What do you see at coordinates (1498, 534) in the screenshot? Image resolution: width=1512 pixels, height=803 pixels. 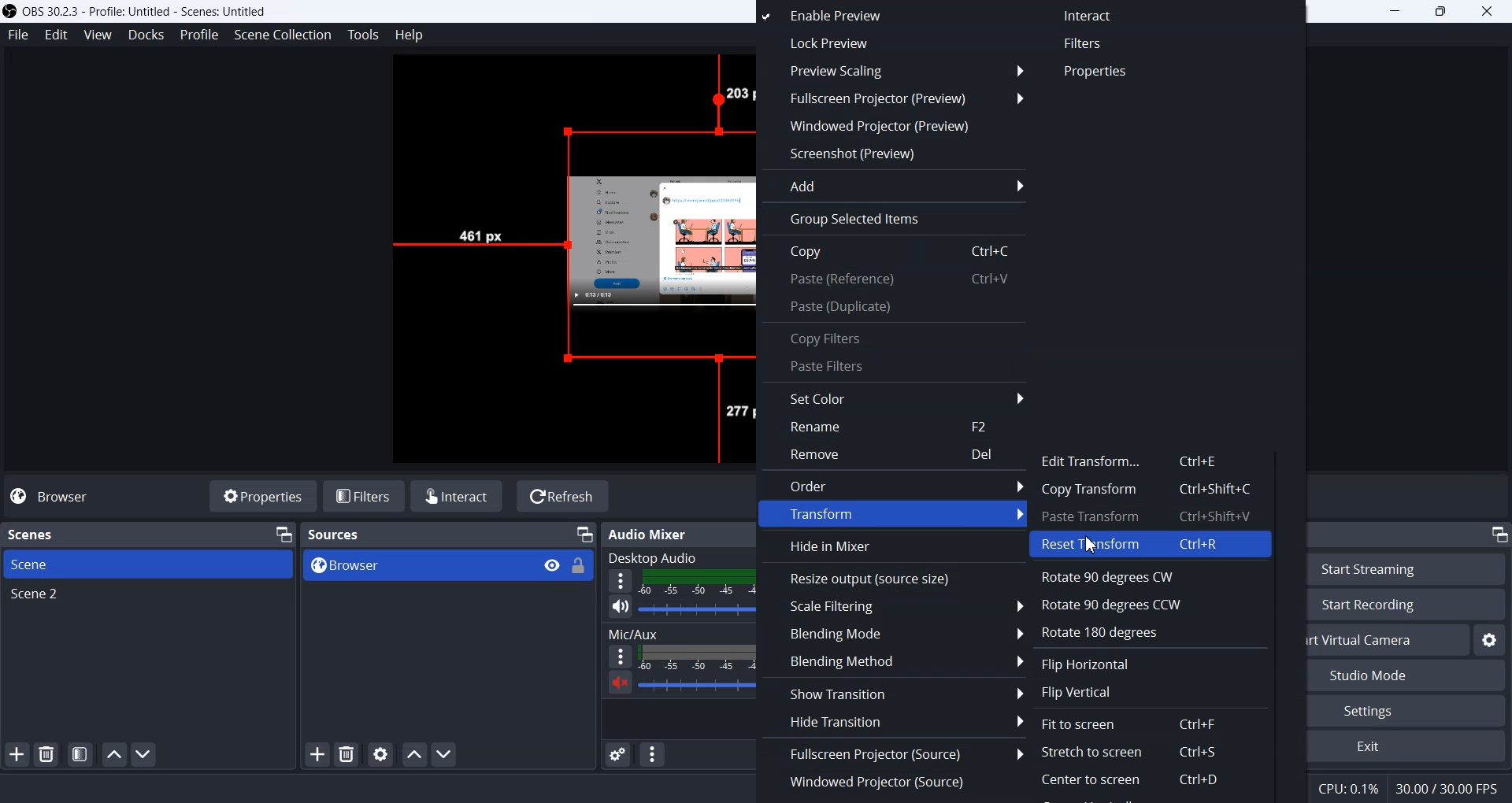 I see `Minimize` at bounding box center [1498, 534].